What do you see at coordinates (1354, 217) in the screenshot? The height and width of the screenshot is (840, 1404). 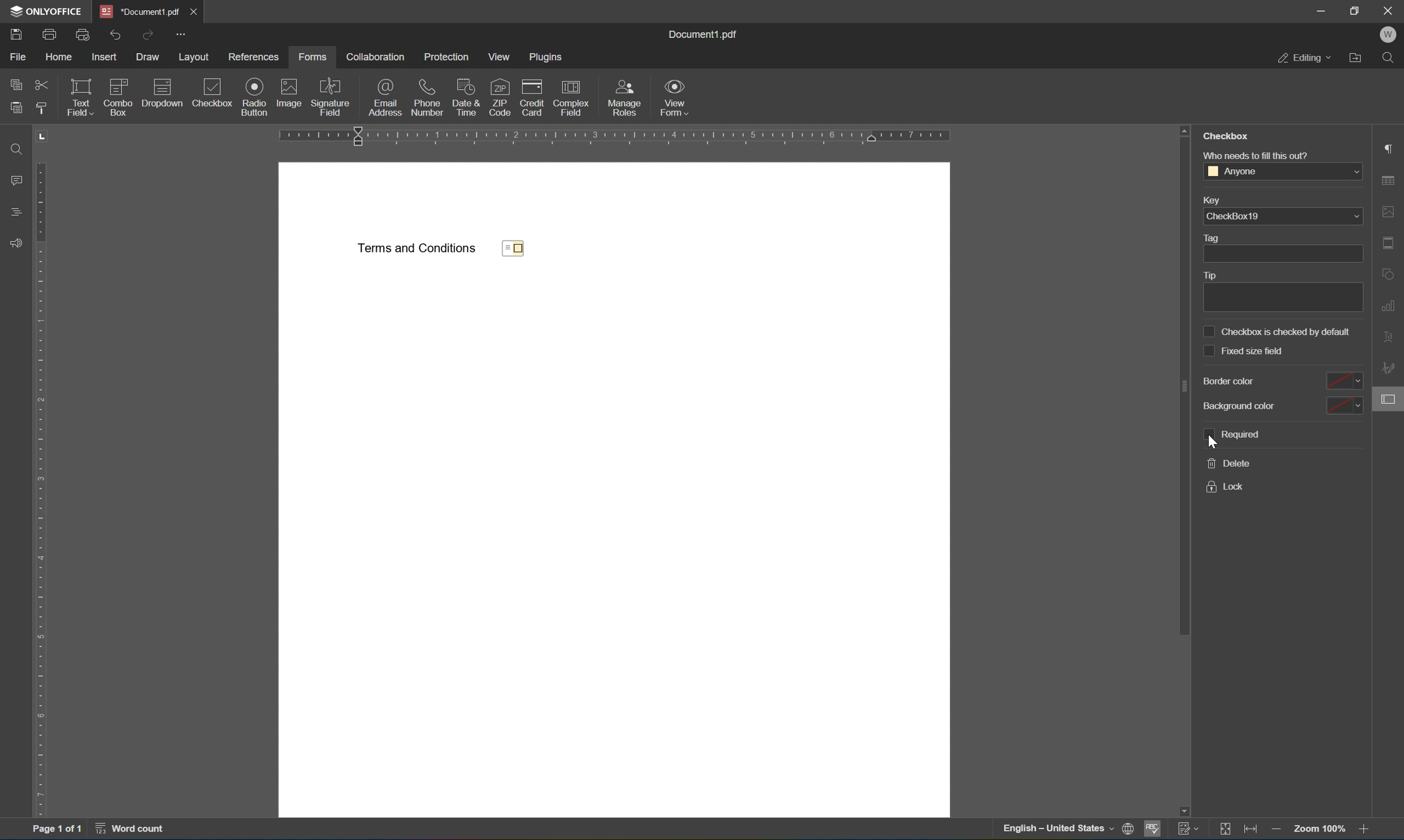 I see `drop down` at bounding box center [1354, 217].